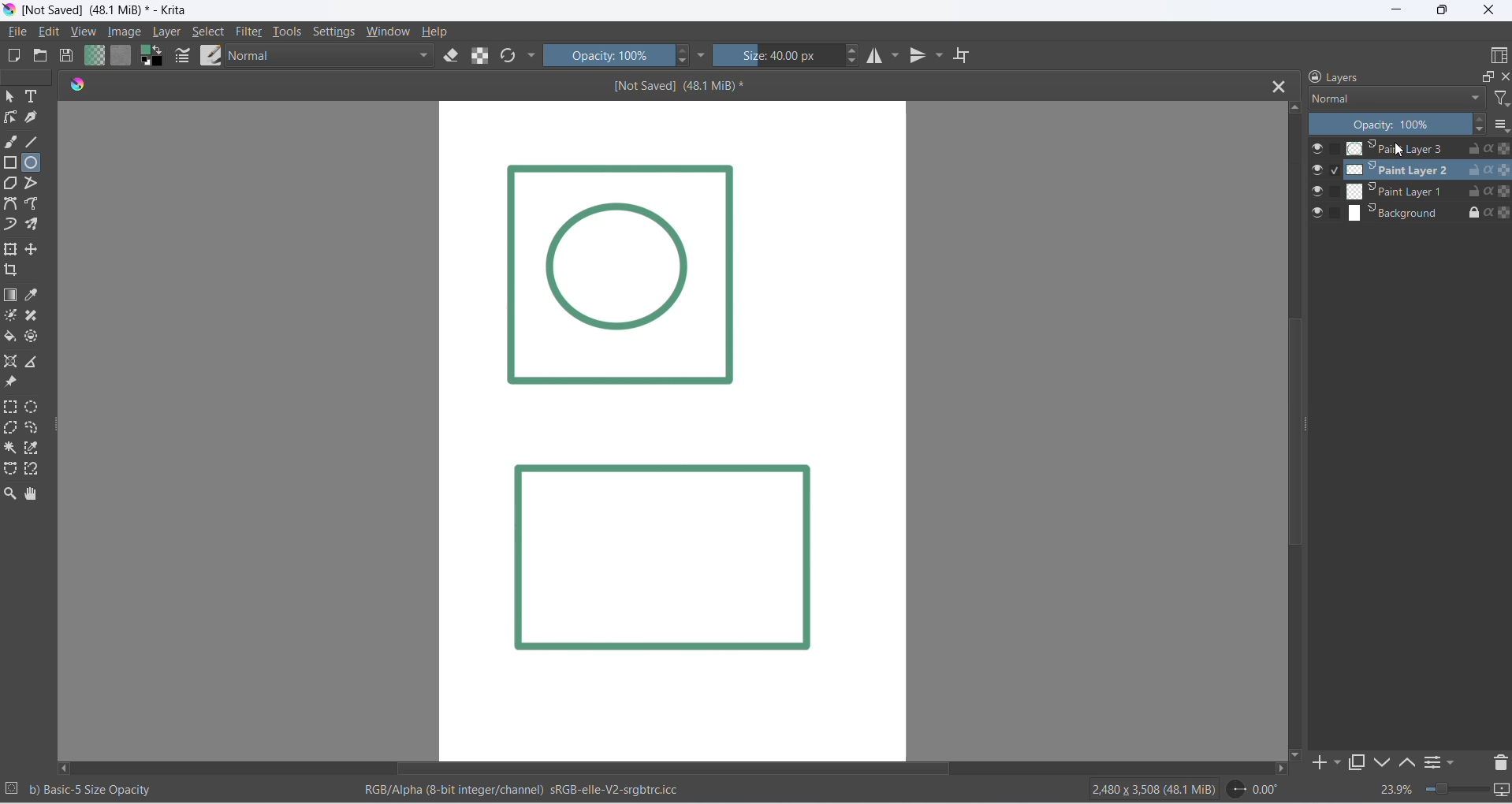 The width and height of the screenshot is (1512, 804). I want to click on multibrush tool, so click(35, 225).